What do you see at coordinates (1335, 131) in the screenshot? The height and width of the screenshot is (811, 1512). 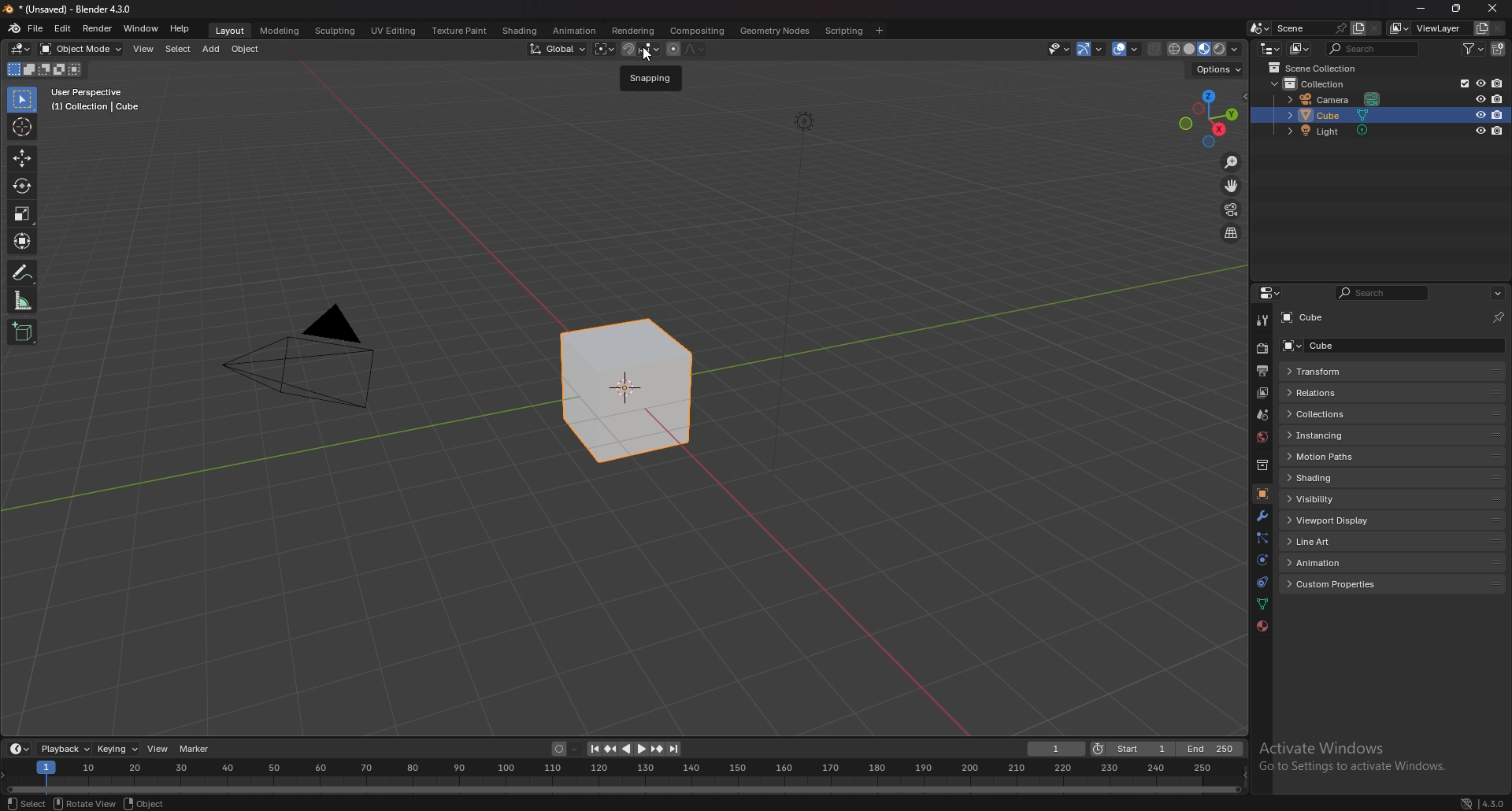 I see `light` at bounding box center [1335, 131].